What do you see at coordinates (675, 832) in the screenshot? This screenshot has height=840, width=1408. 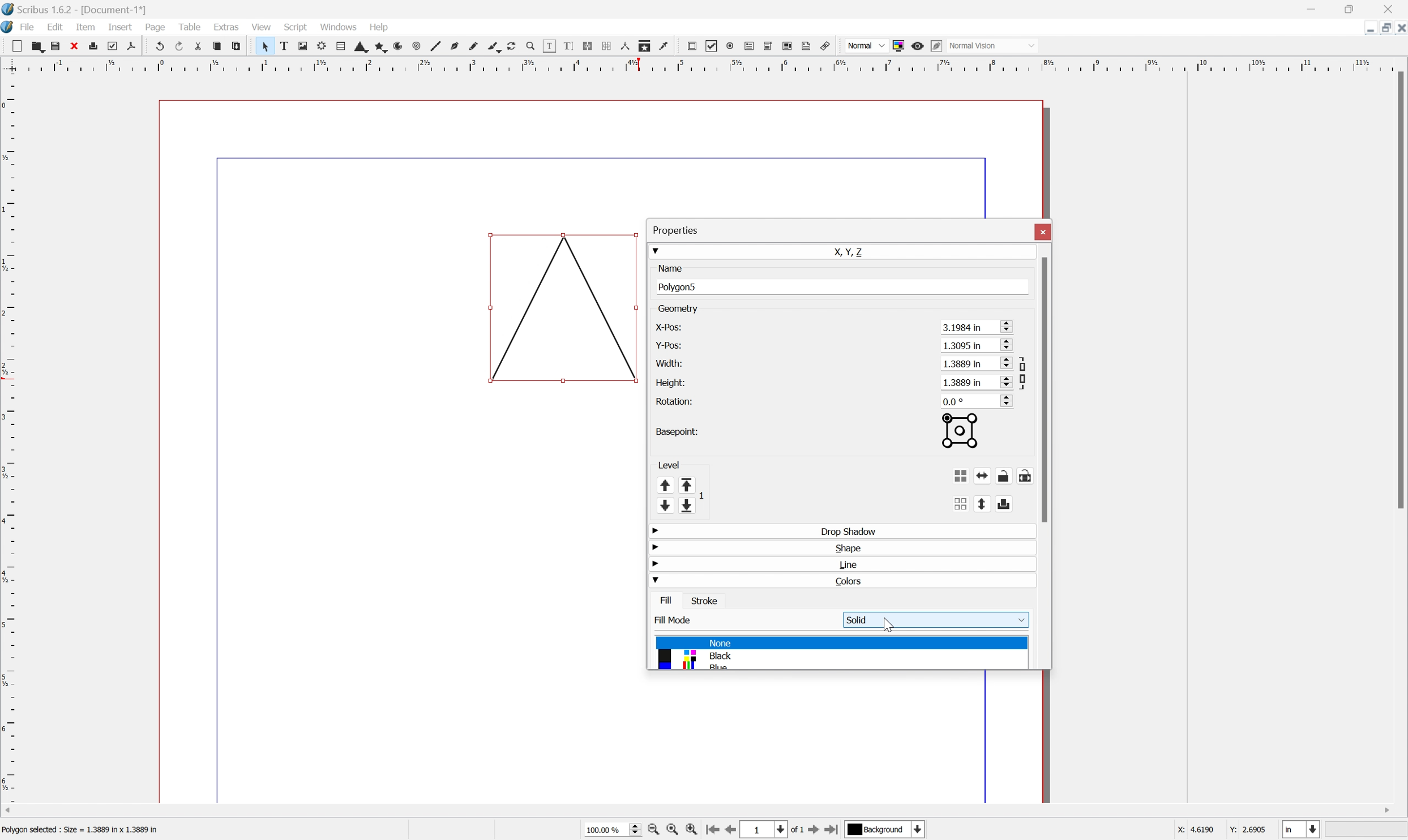 I see `Zoom to 100%` at bounding box center [675, 832].